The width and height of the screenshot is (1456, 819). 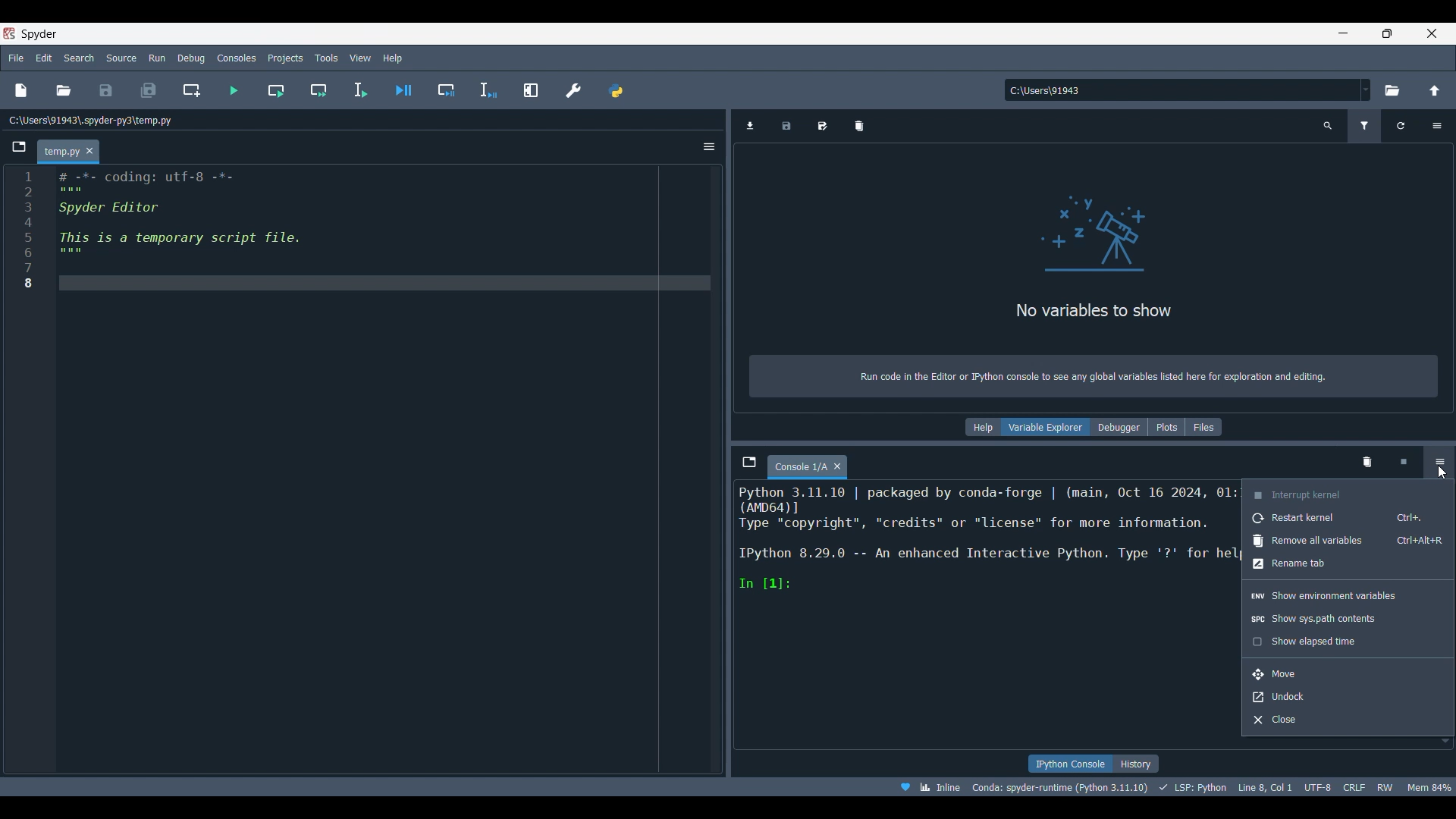 What do you see at coordinates (1136, 764) in the screenshot?
I see `History` at bounding box center [1136, 764].